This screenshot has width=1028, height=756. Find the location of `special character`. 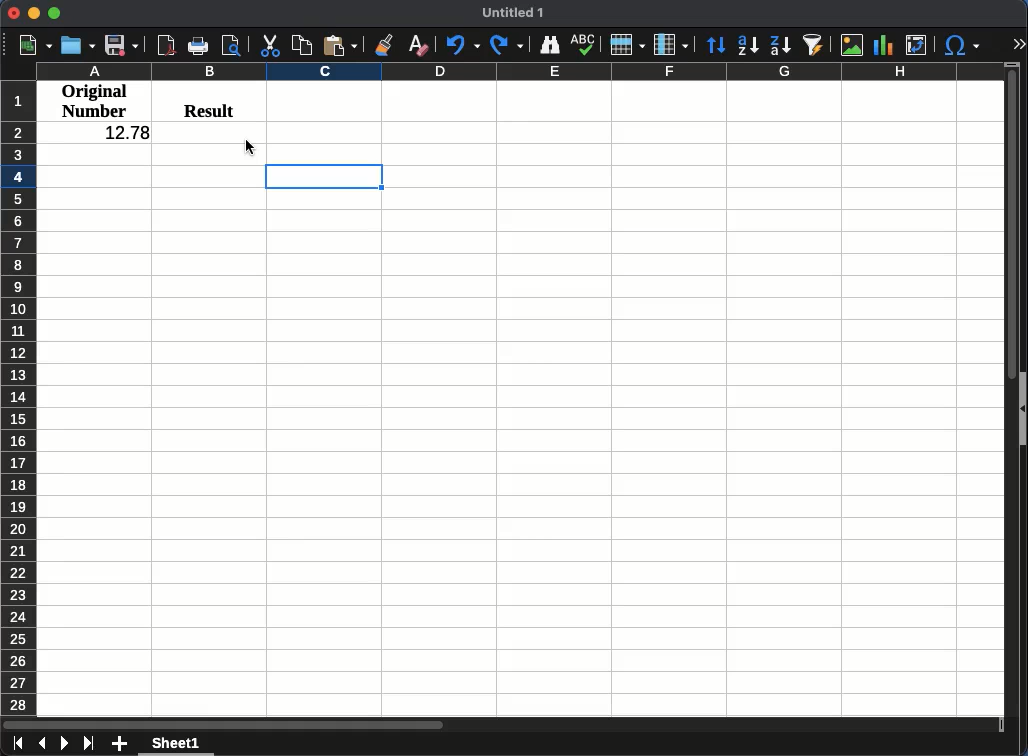

special character is located at coordinates (960, 47).